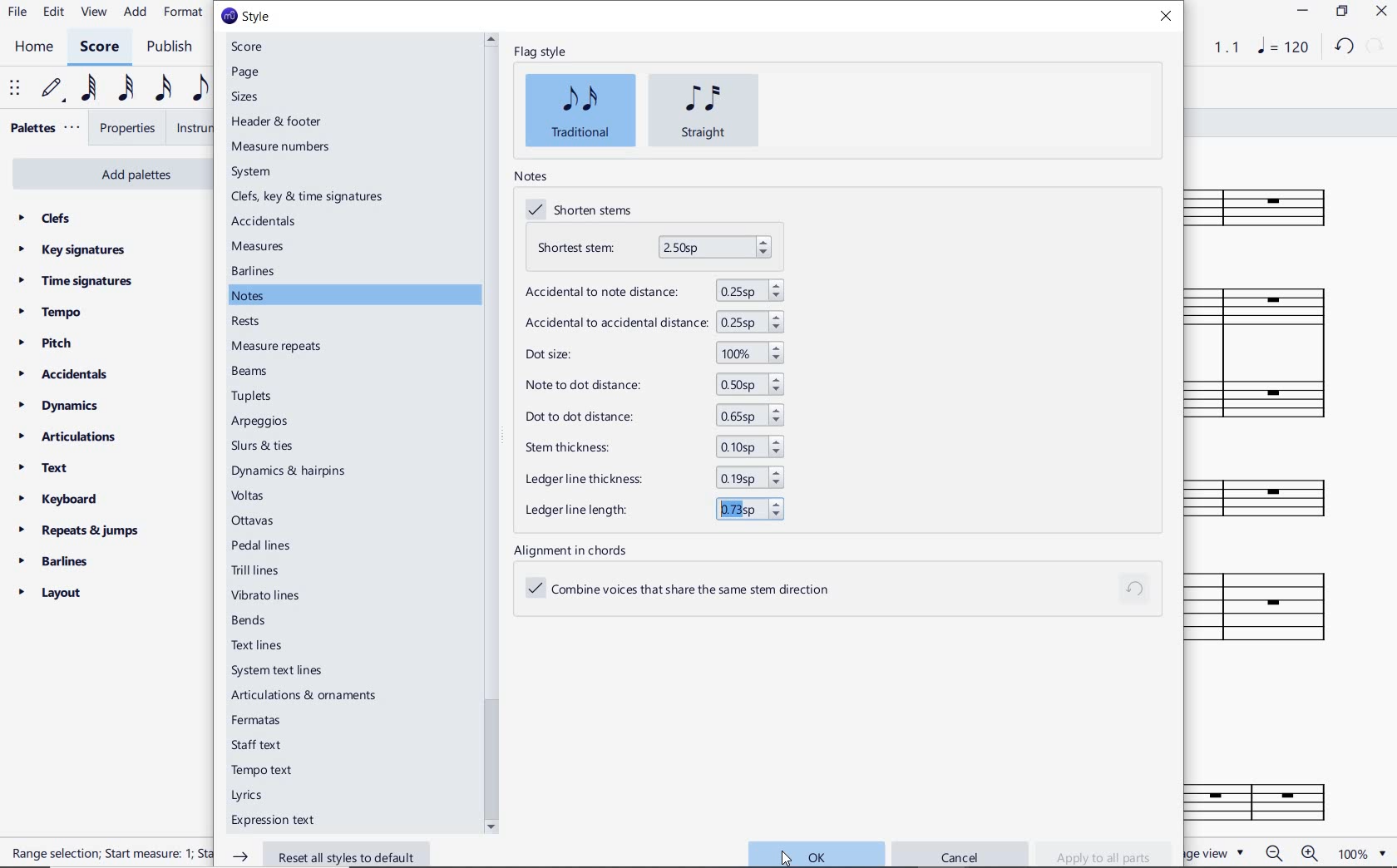 This screenshot has width=1397, height=868. I want to click on traditional, so click(580, 110).